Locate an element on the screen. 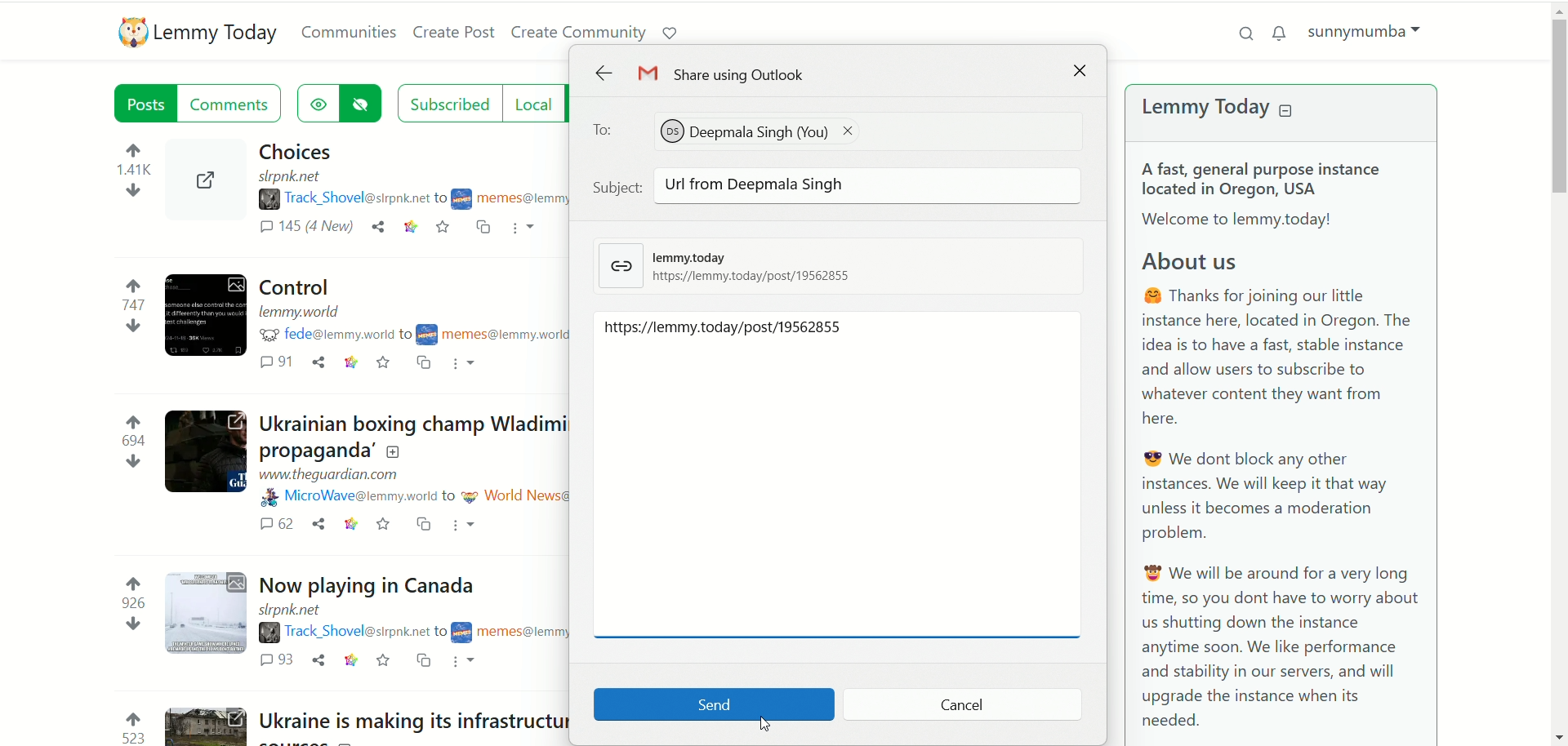  Expand the post with the image is located at coordinates (207, 315).